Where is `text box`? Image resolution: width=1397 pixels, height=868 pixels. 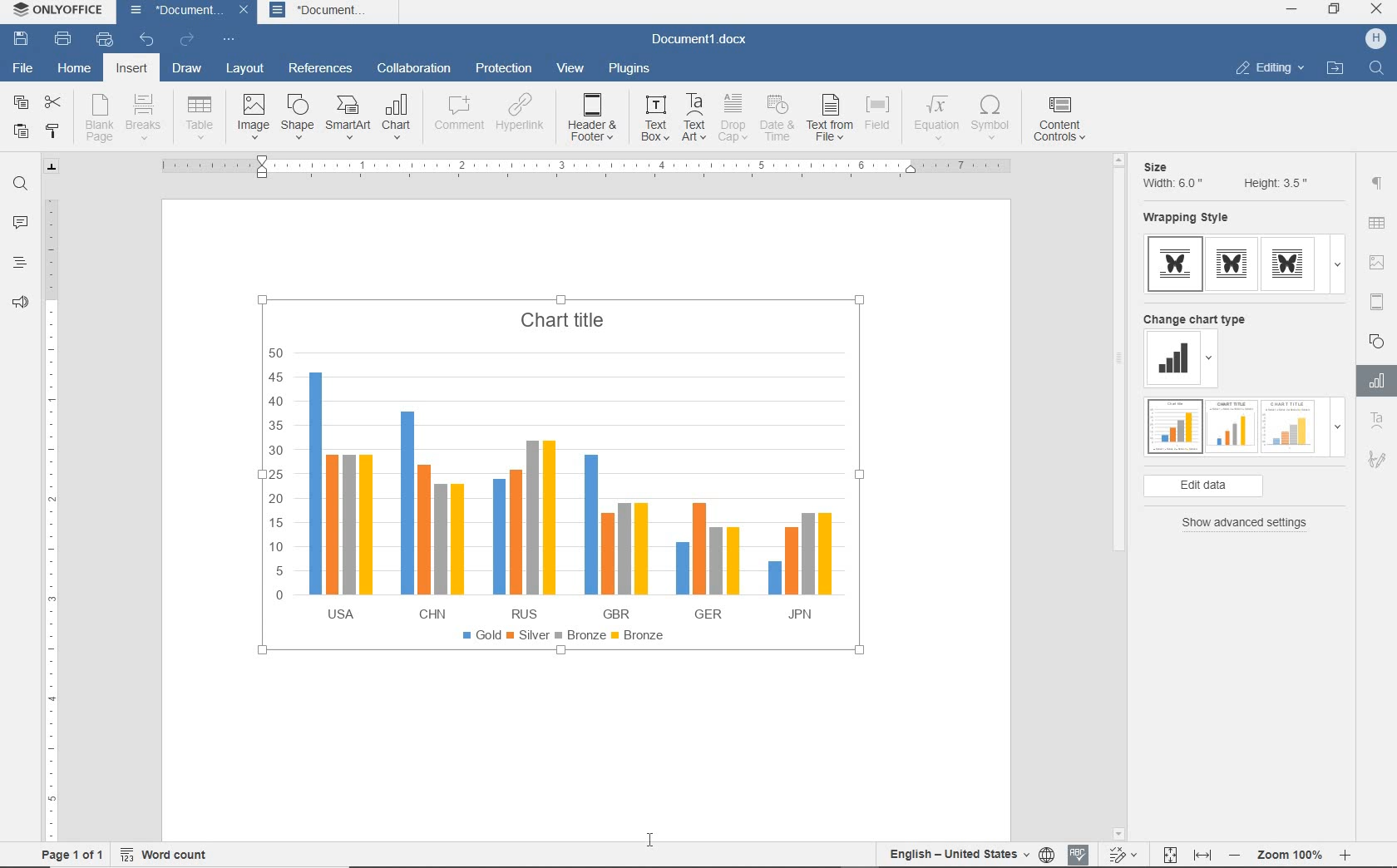
text box is located at coordinates (654, 121).